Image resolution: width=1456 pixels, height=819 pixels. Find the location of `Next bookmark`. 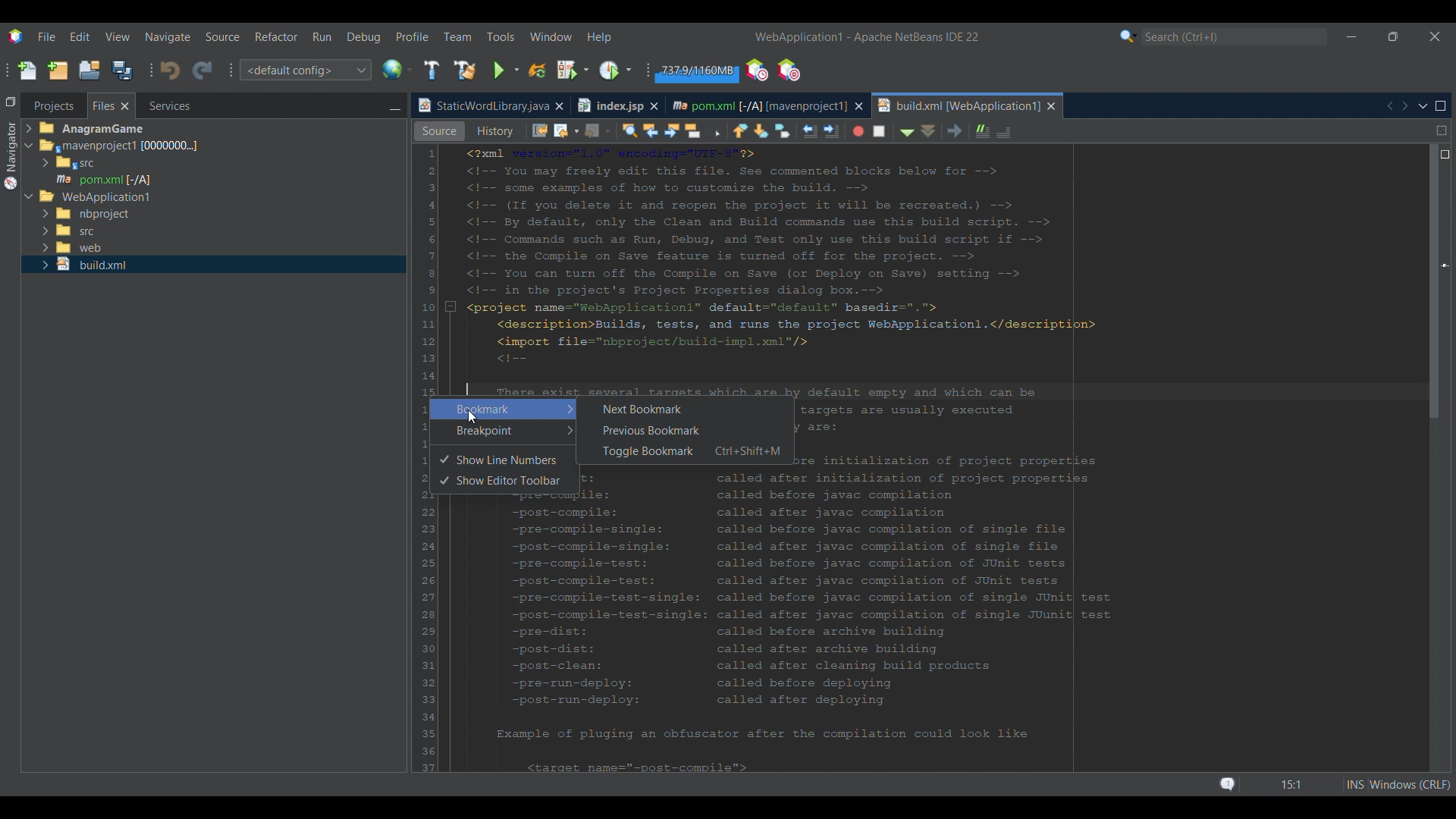

Next bookmark is located at coordinates (899, 130).